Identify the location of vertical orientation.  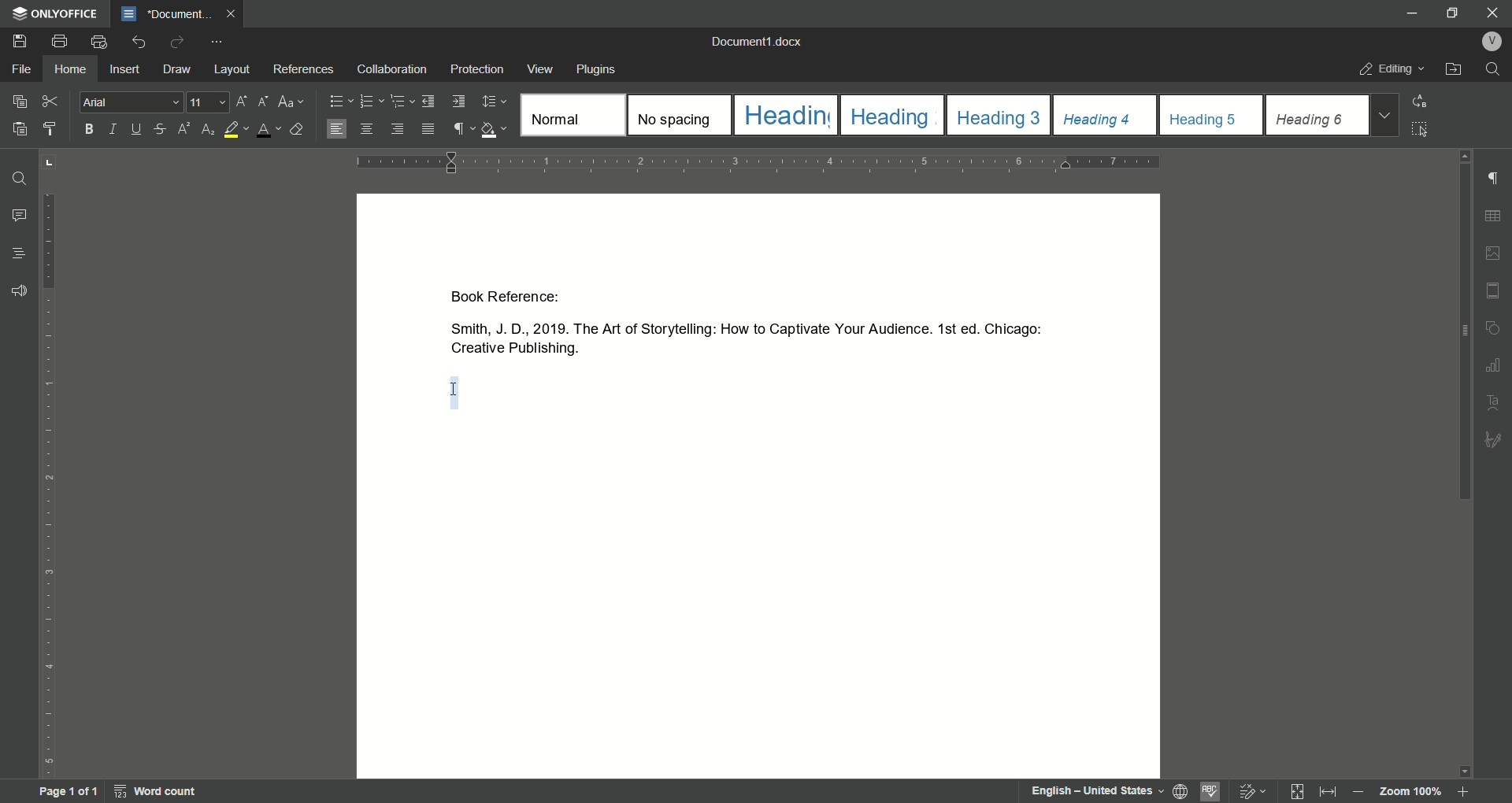
(50, 487).